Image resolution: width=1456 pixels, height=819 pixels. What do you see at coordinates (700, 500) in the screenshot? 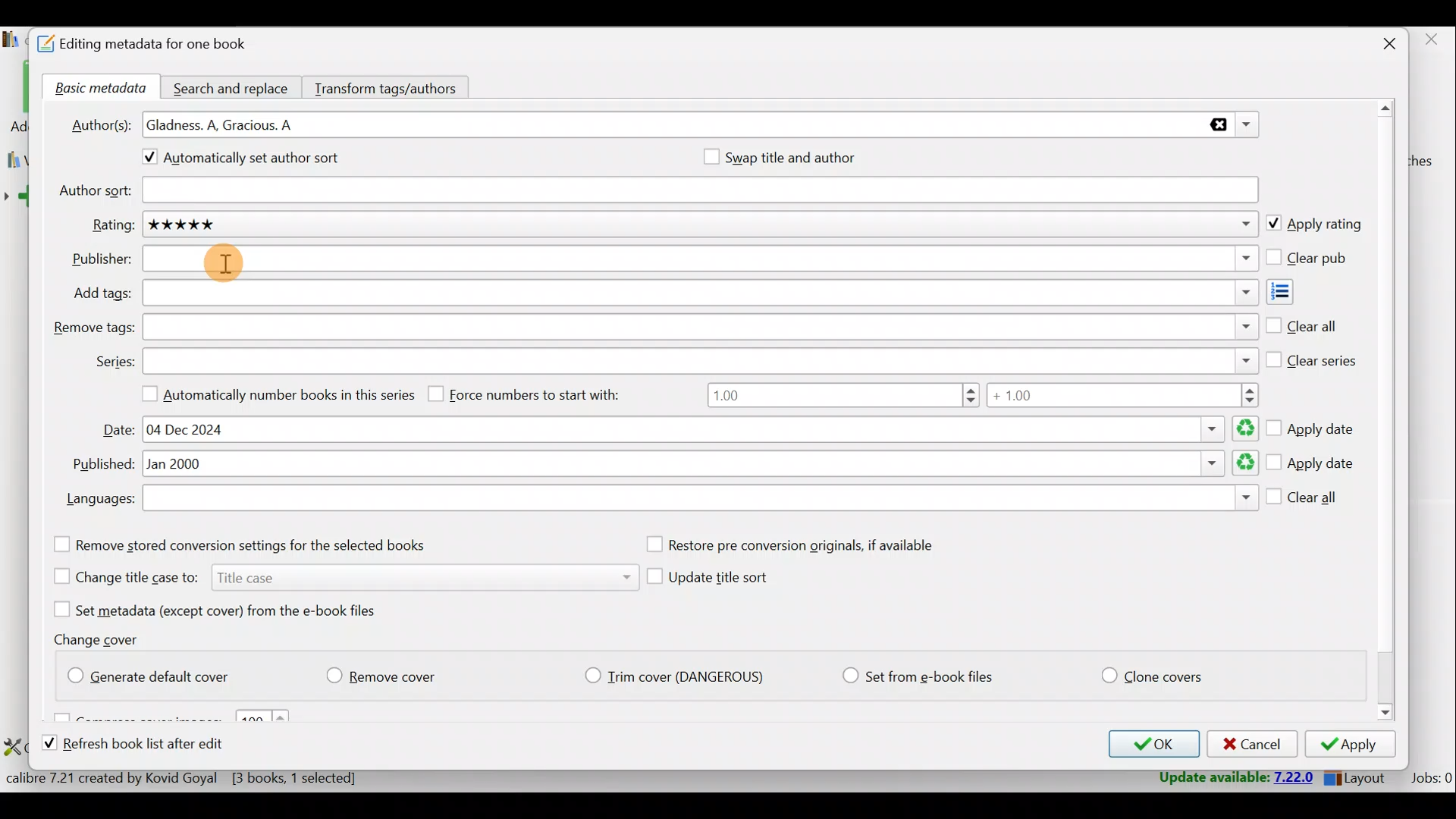
I see `Languages` at bounding box center [700, 500].